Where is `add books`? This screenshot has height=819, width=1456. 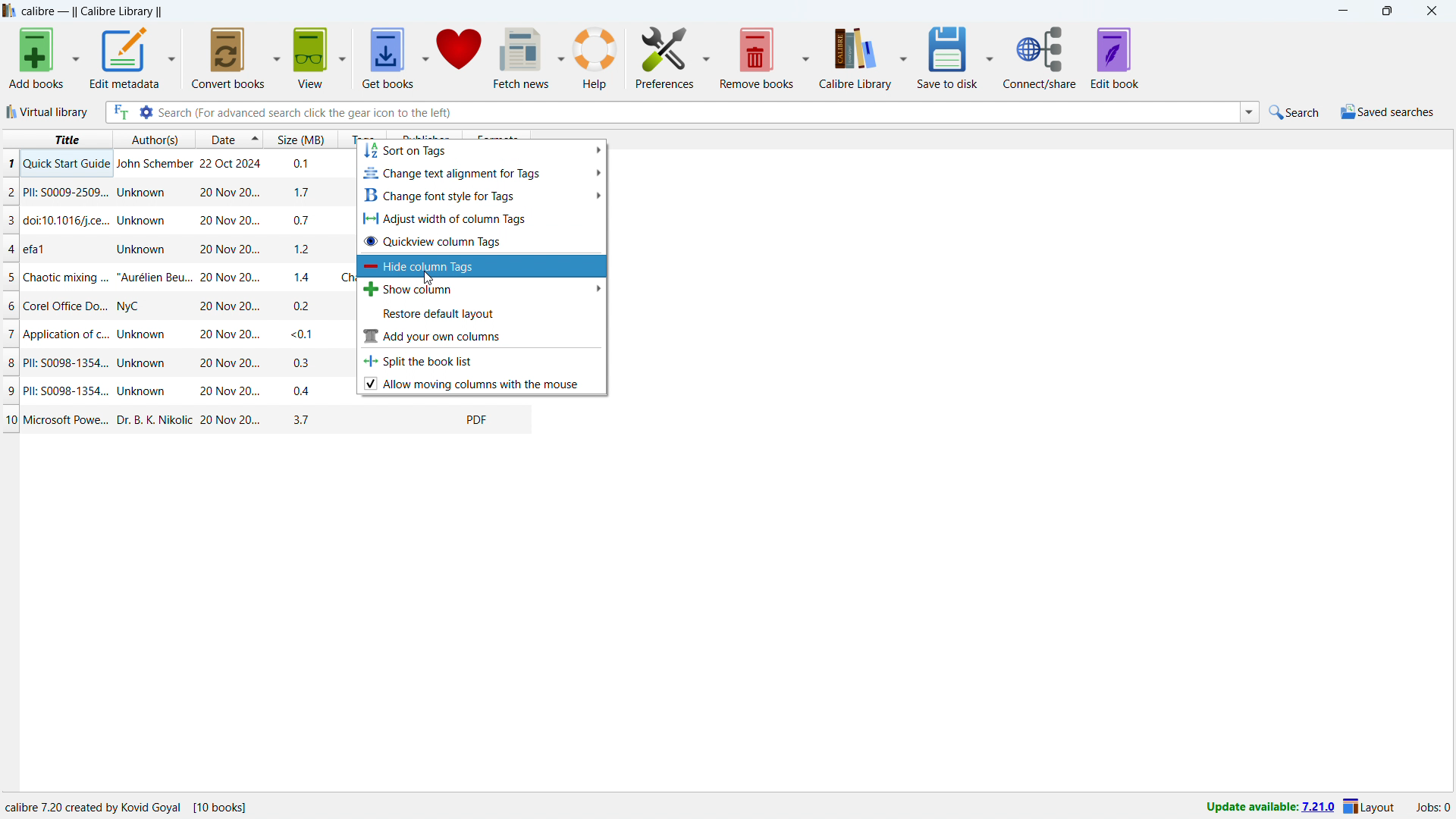
add books is located at coordinates (37, 58).